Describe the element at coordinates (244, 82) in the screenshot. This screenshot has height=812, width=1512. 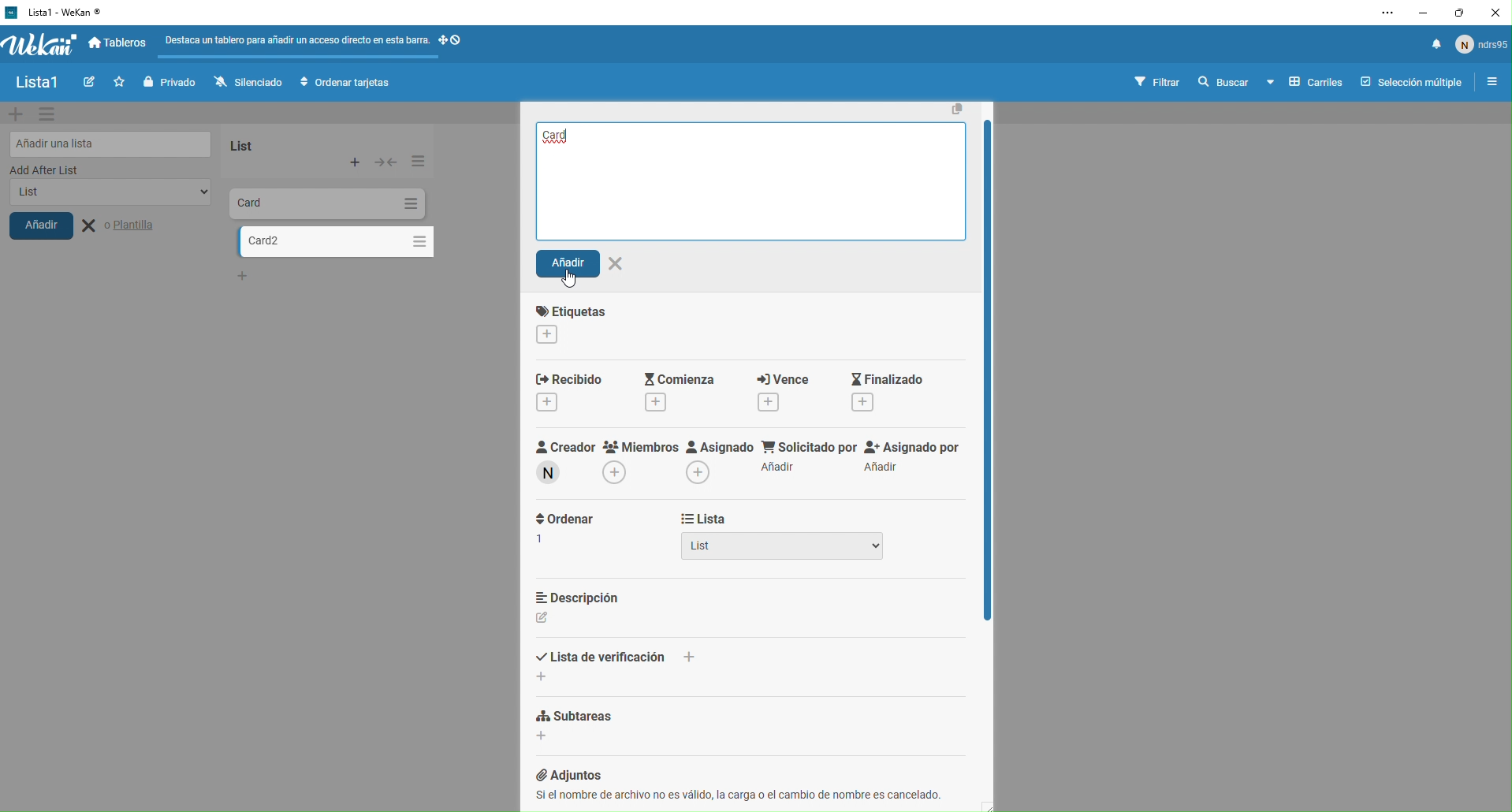
I see `silenciado` at that location.